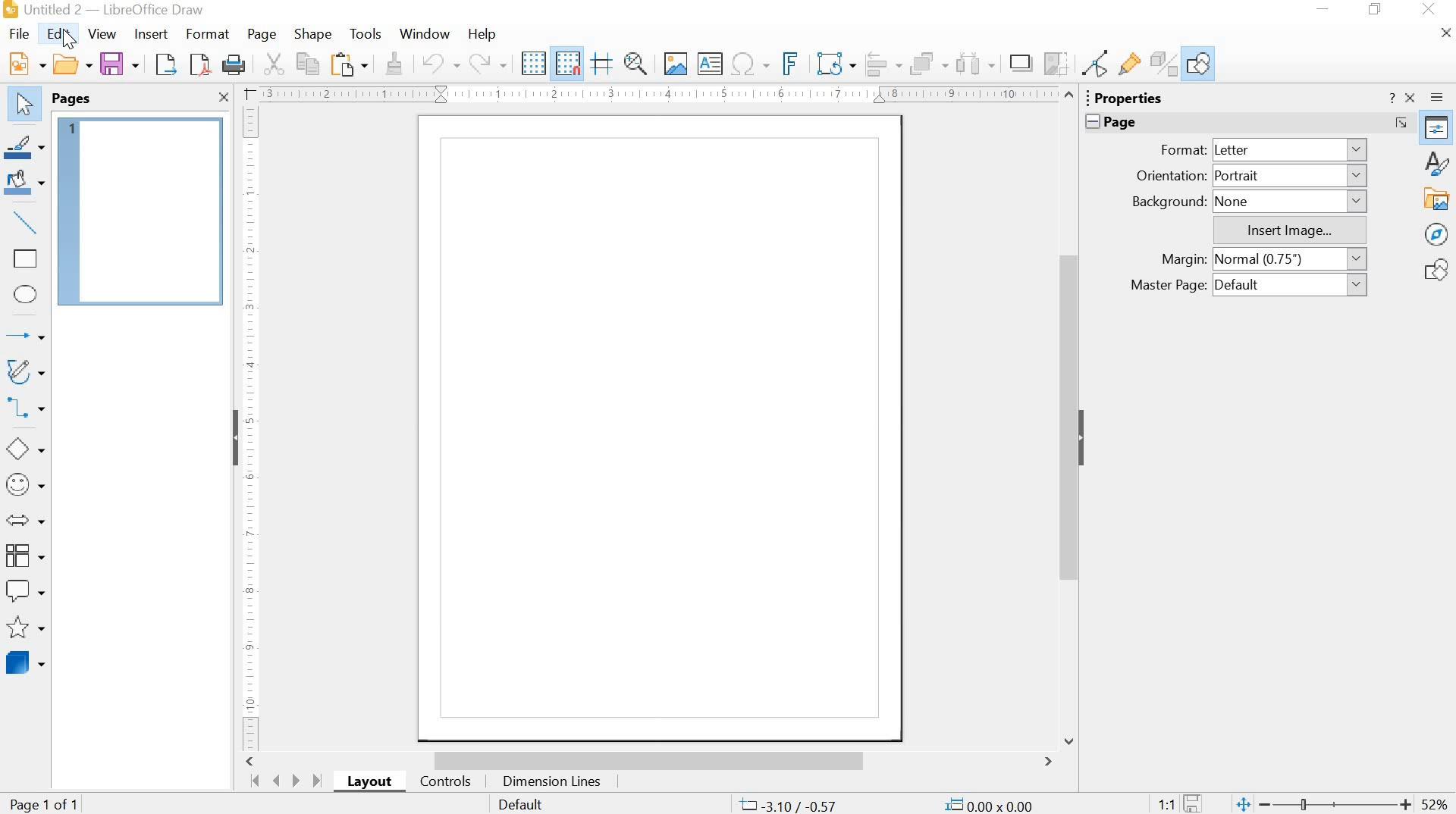 The width and height of the screenshot is (1456, 814). I want to click on Pages, so click(71, 99).